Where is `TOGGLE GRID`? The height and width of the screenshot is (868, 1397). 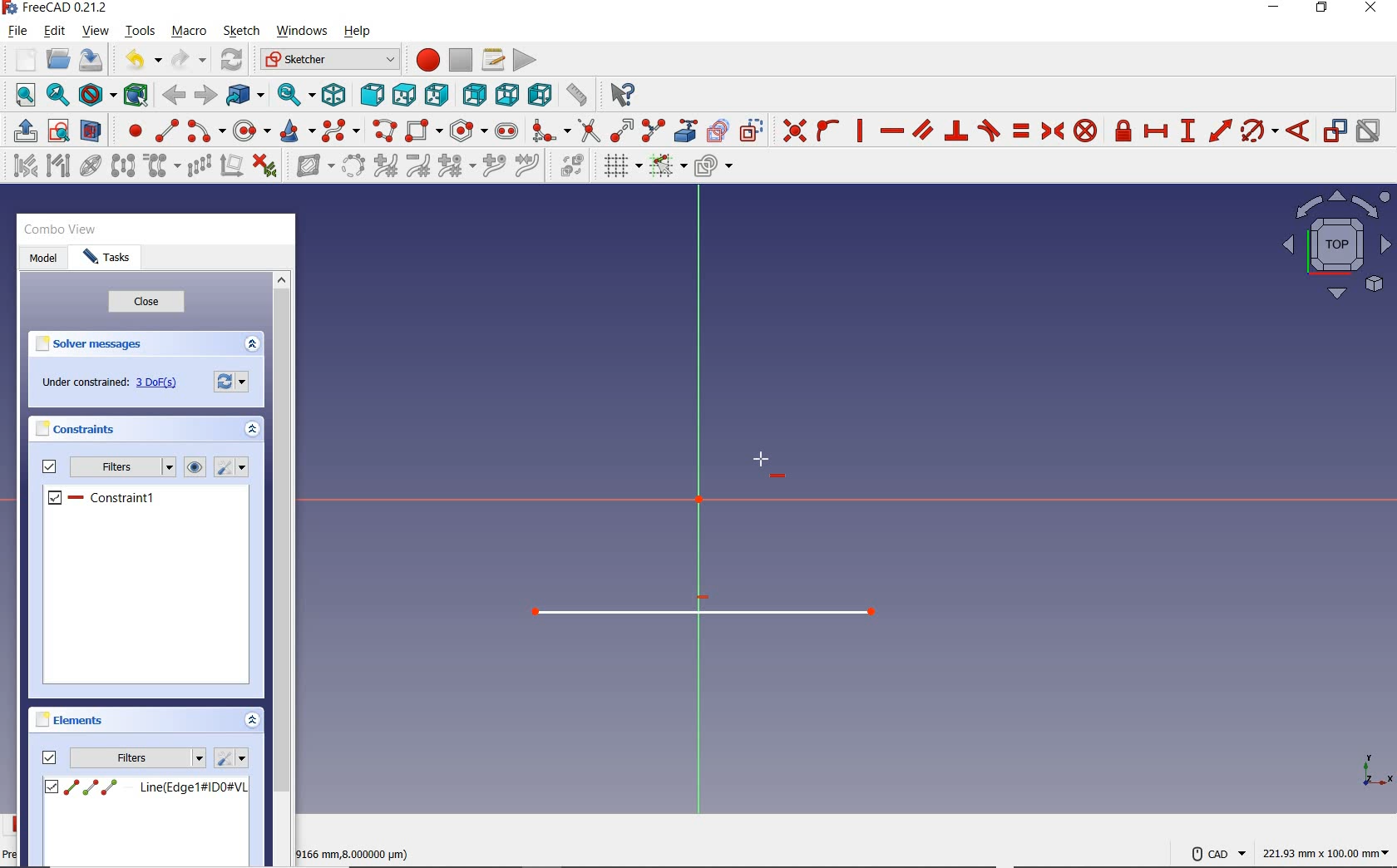
TOGGLE GRID is located at coordinates (622, 166).